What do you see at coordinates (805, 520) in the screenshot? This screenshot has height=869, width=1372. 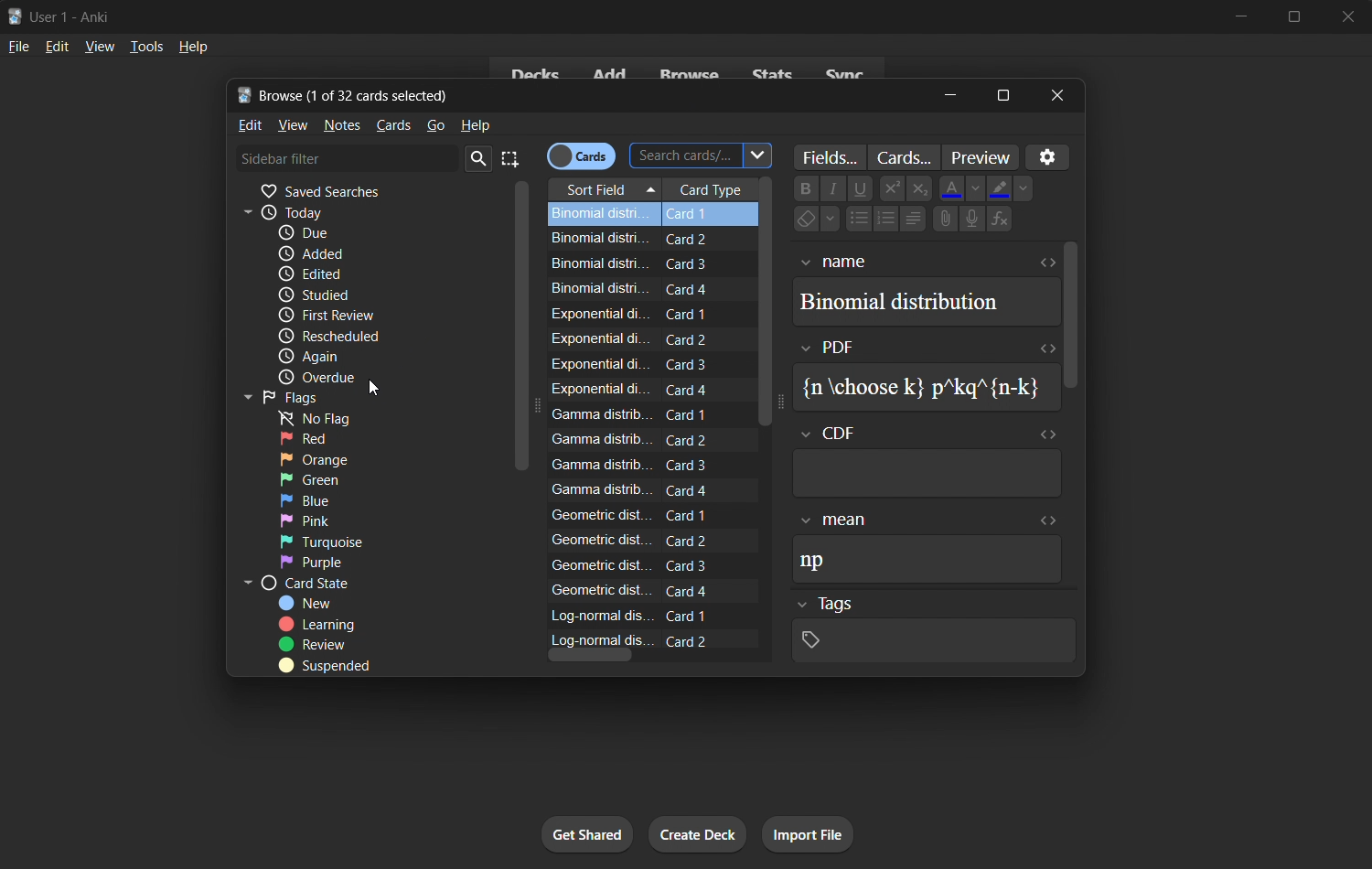 I see `Drop down` at bounding box center [805, 520].